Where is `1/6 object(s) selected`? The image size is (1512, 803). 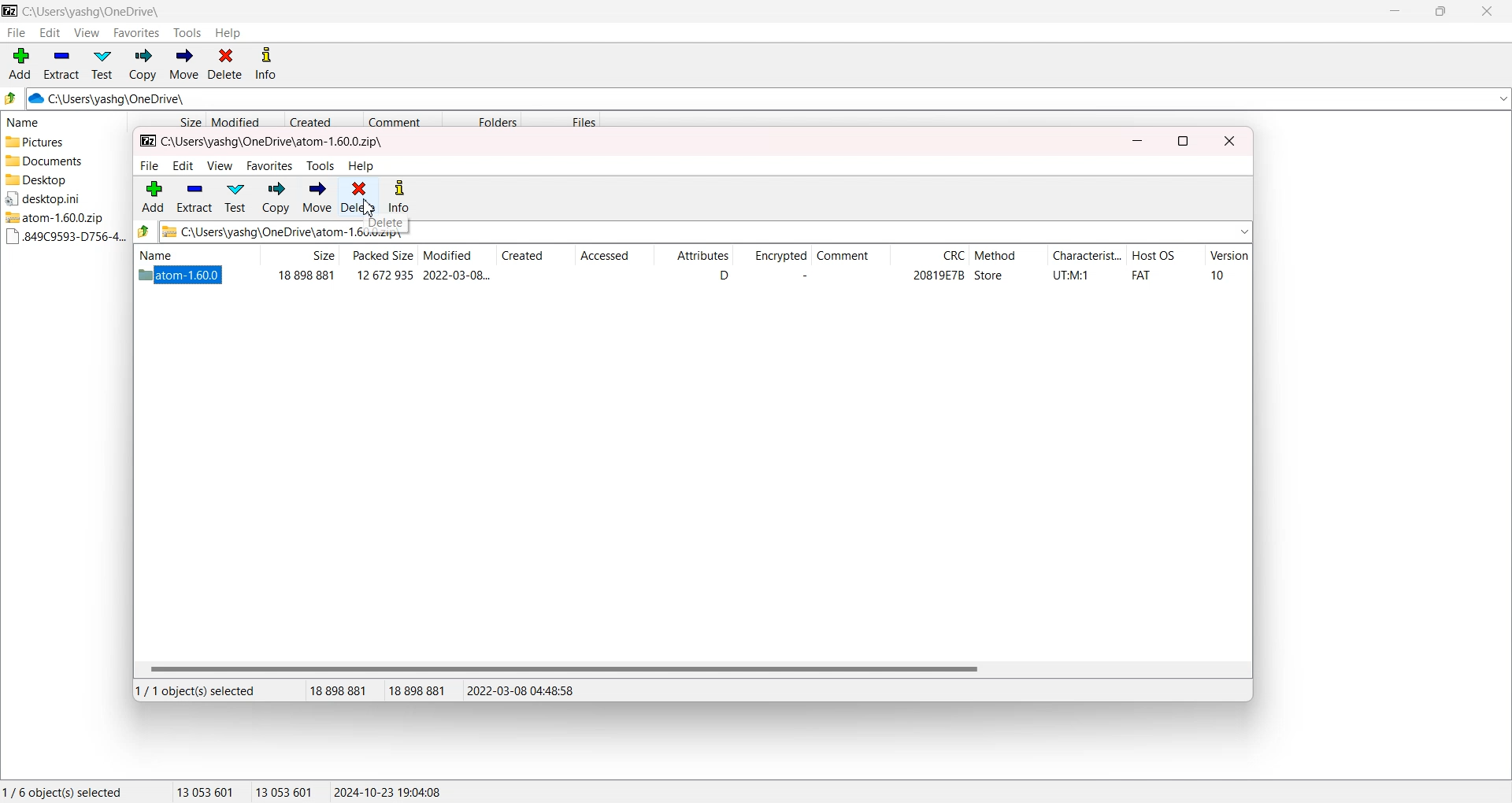
1/6 object(s) selected is located at coordinates (62, 791).